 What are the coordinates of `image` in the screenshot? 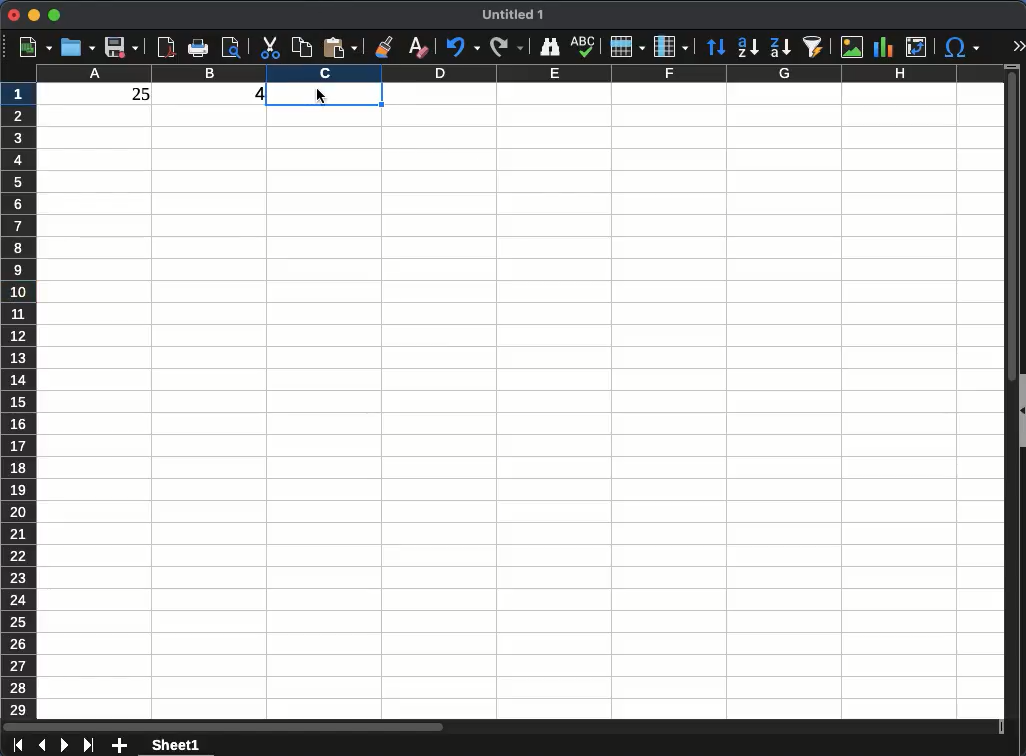 It's located at (852, 48).